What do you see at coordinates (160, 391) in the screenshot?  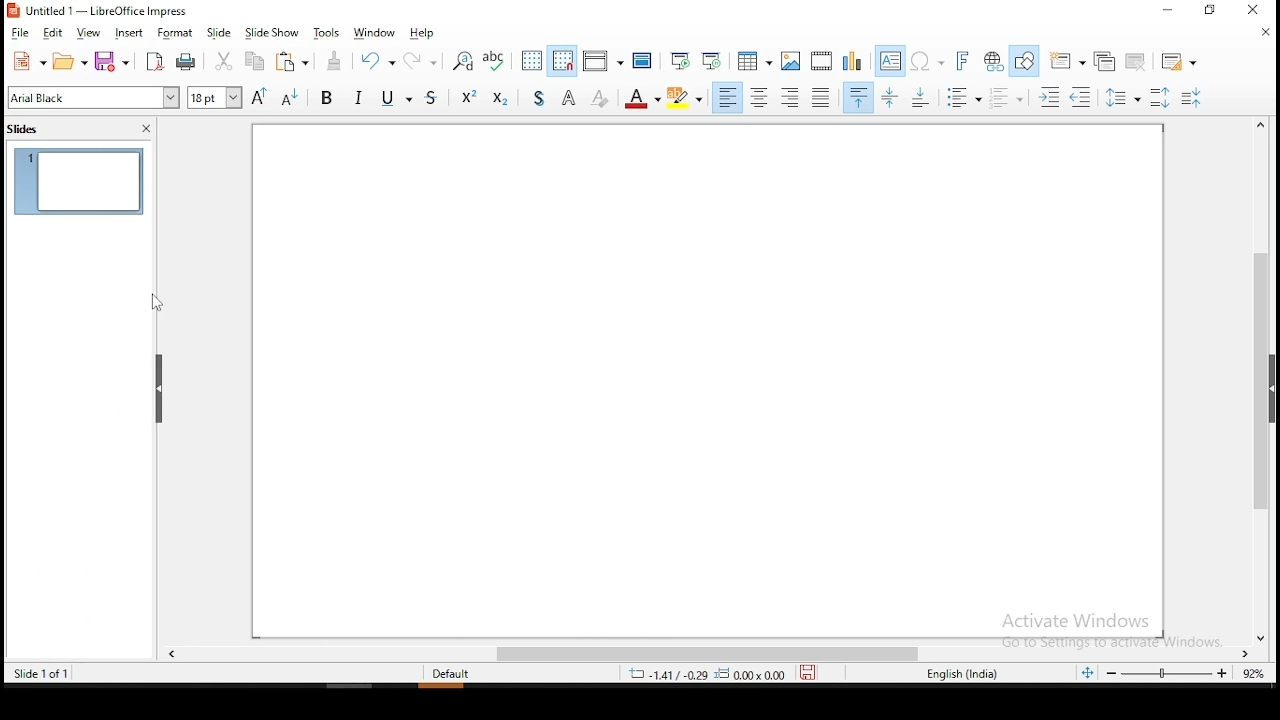 I see `drag handle` at bounding box center [160, 391].